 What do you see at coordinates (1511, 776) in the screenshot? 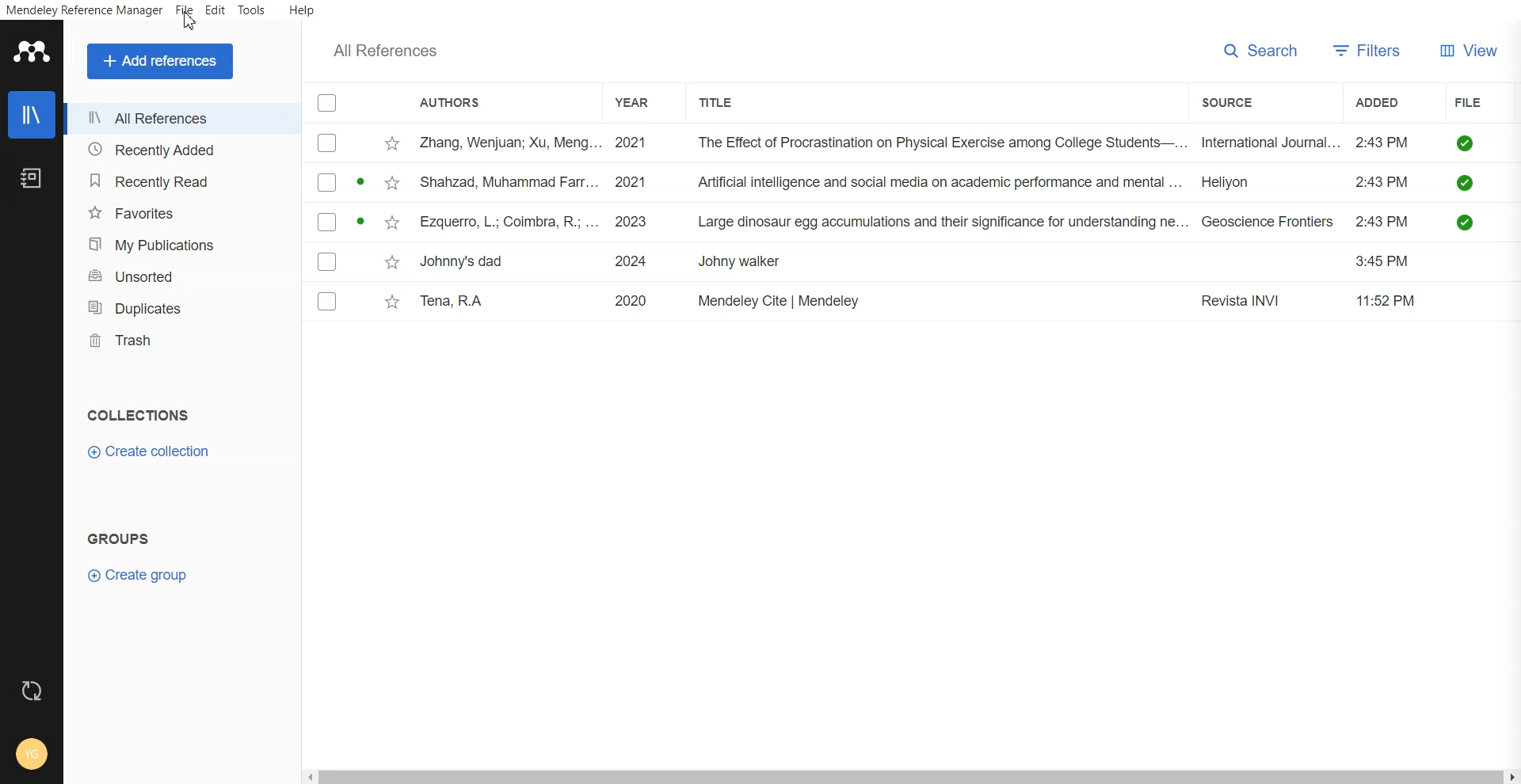
I see `Scroll right` at bounding box center [1511, 776].